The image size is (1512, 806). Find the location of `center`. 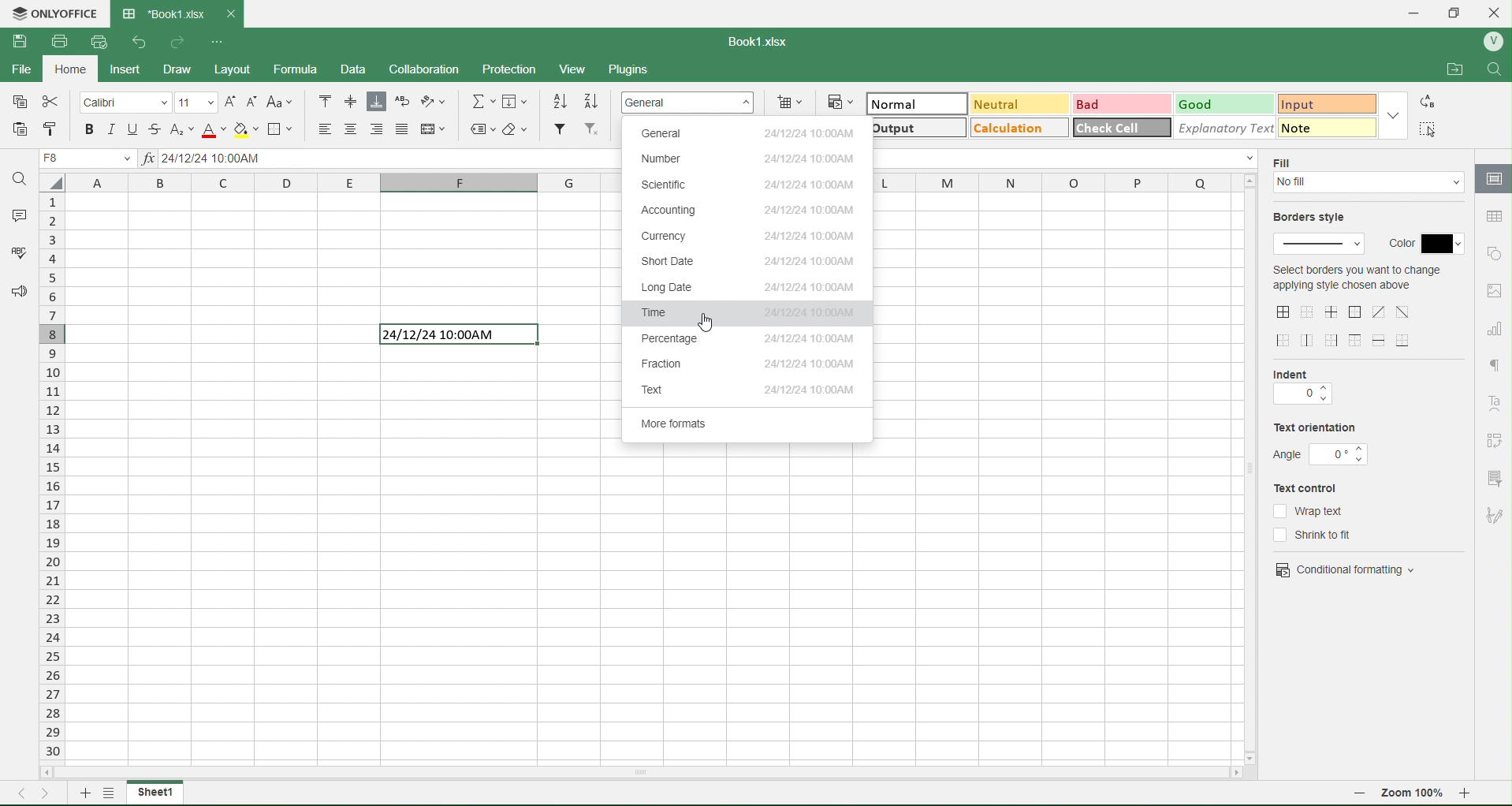

center is located at coordinates (1379, 312).